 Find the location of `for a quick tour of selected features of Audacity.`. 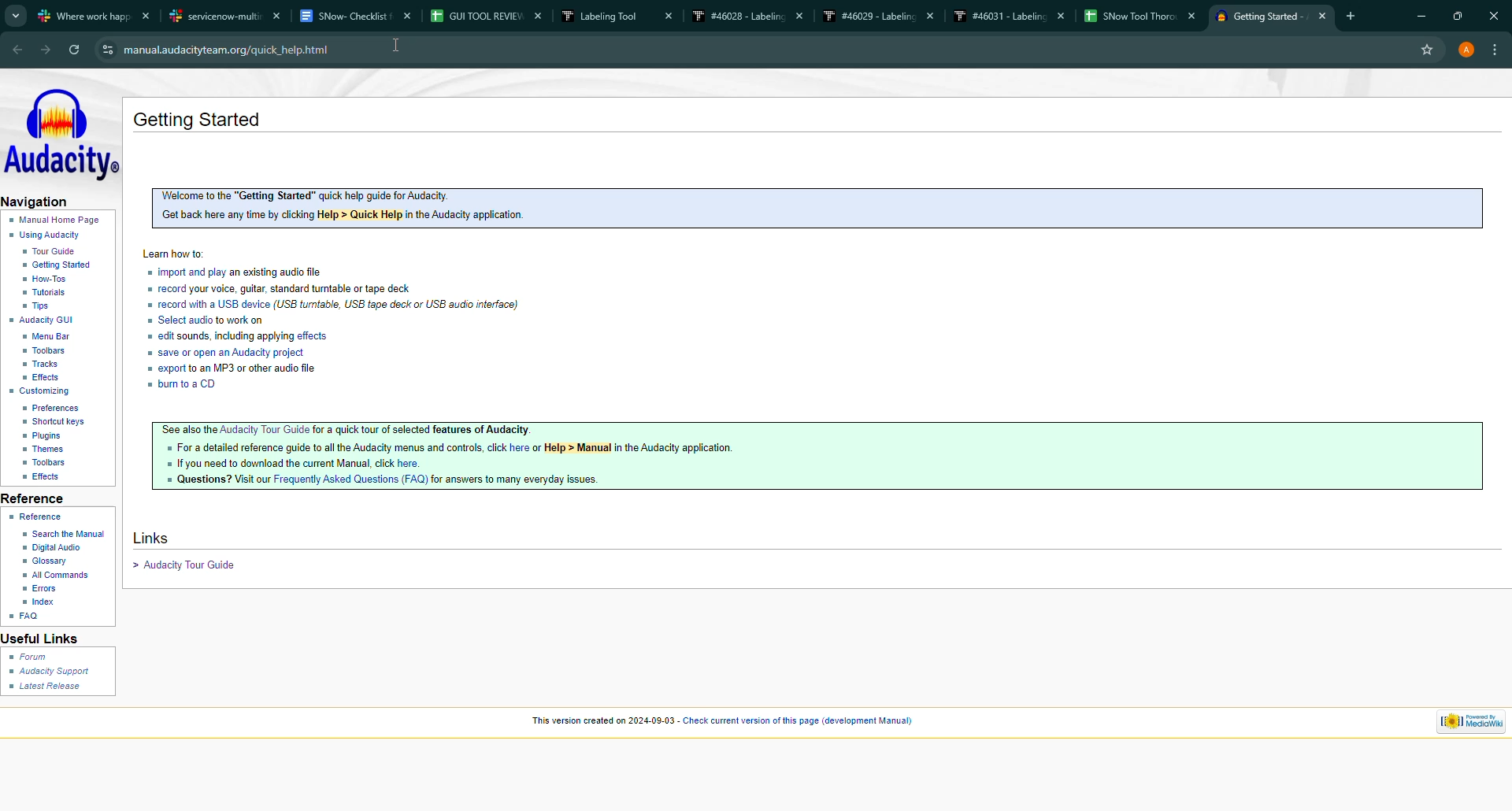

for a quick tour of selected features of Audacity. is located at coordinates (427, 429).